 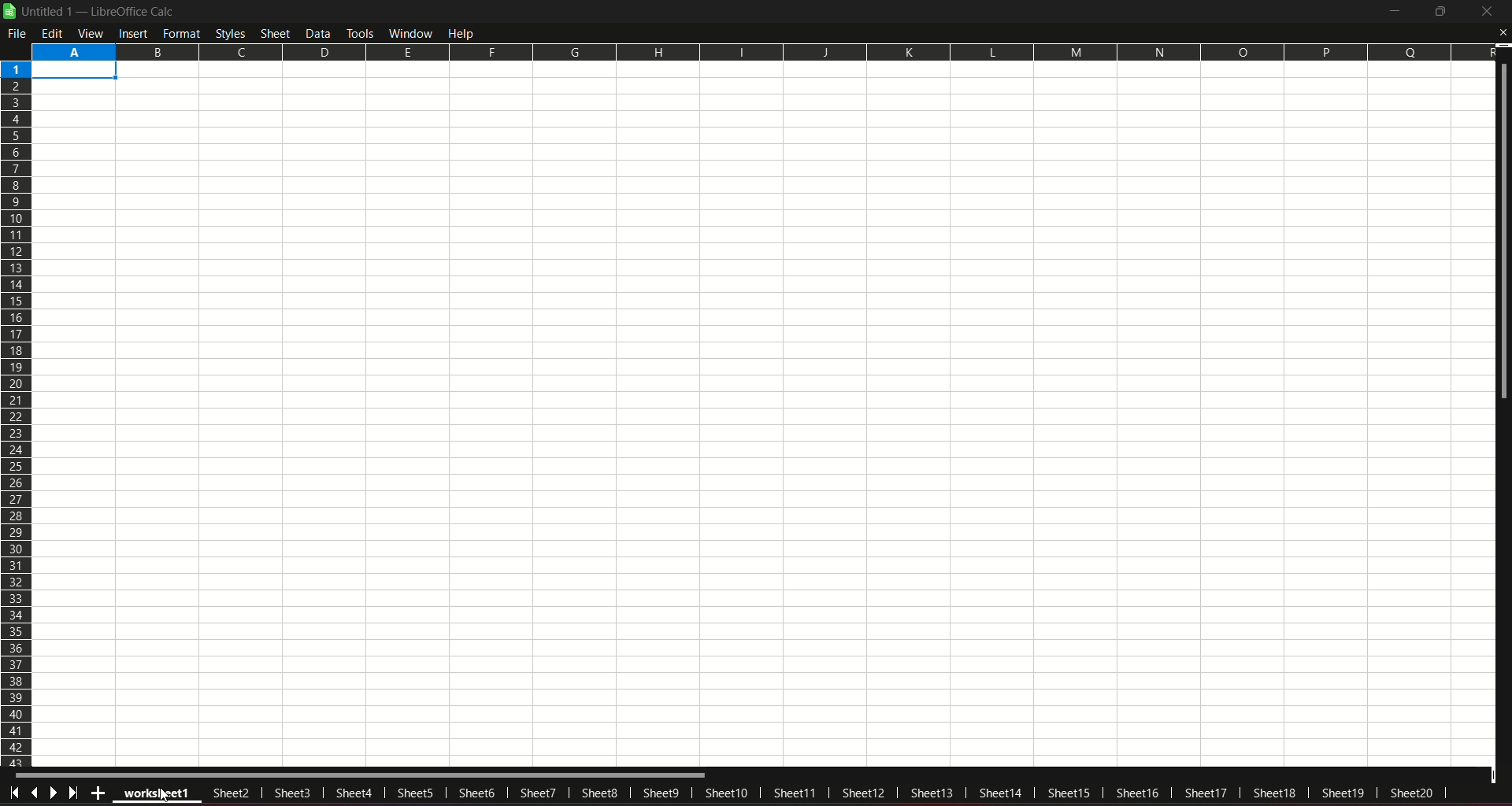 What do you see at coordinates (1205, 791) in the screenshot?
I see `sheet17` at bounding box center [1205, 791].